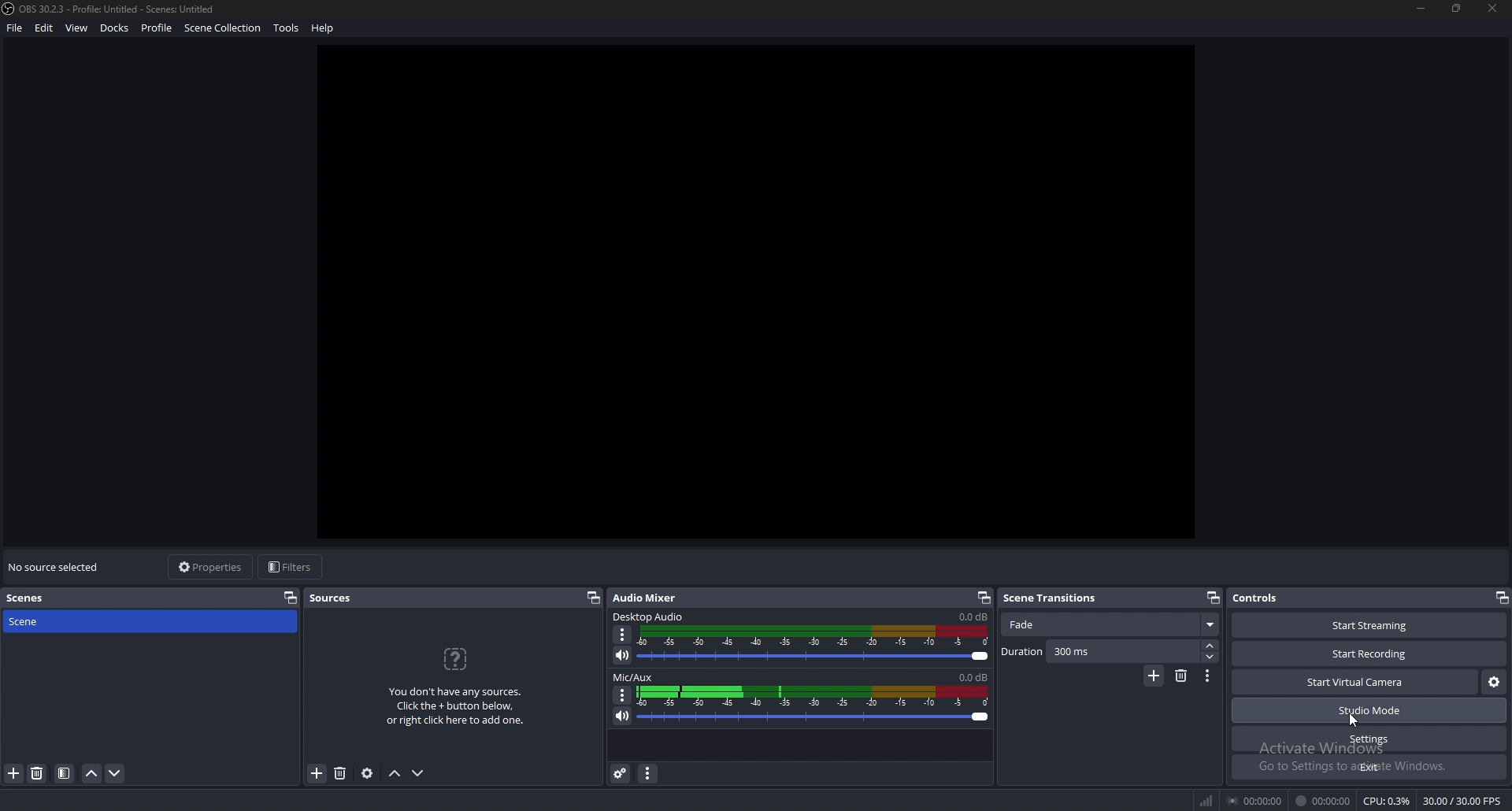 The width and height of the screenshot is (1512, 811). Describe the element at coordinates (649, 596) in the screenshot. I see `Audio mixer` at that location.